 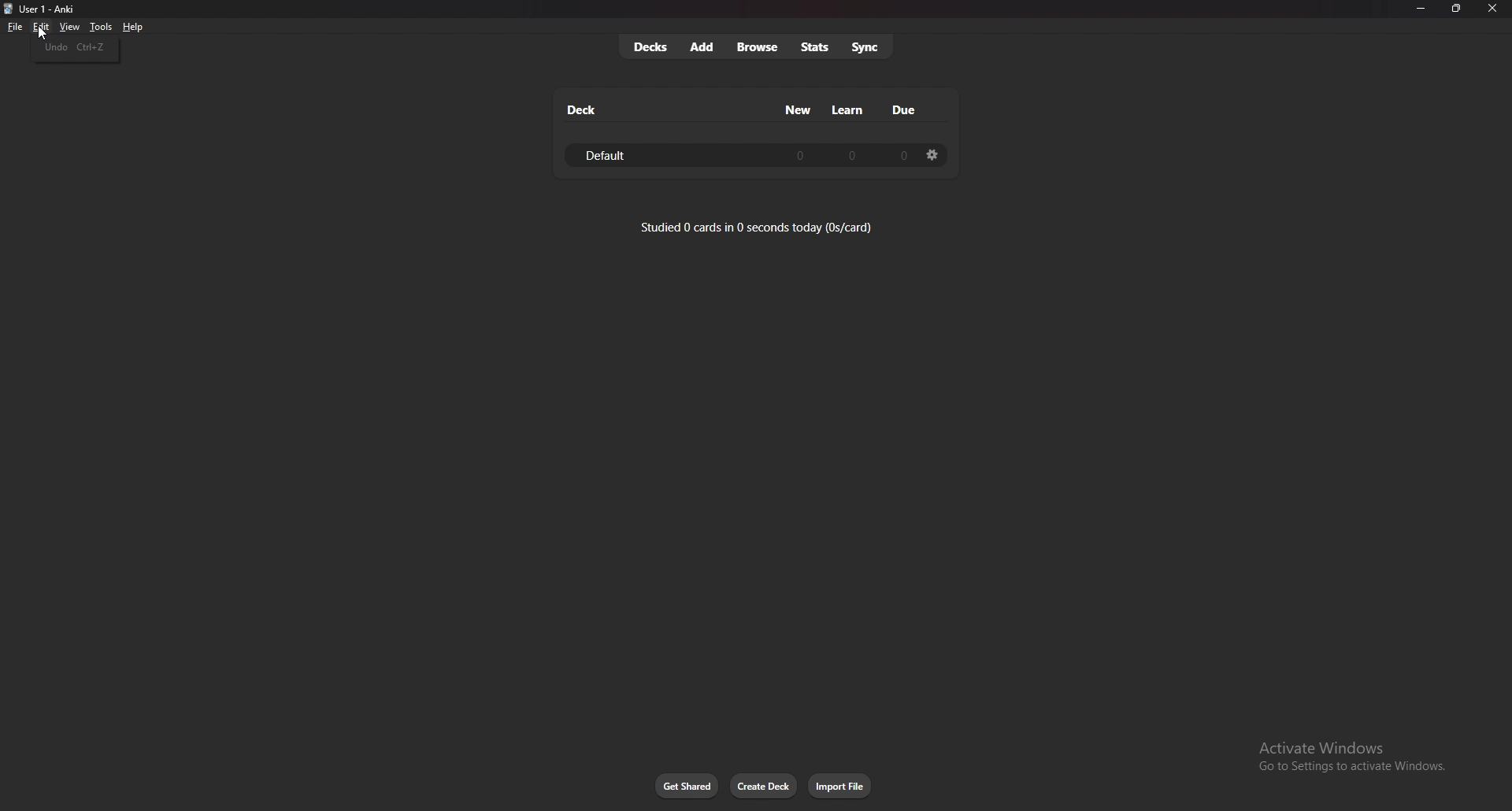 I want to click on file, so click(x=17, y=27).